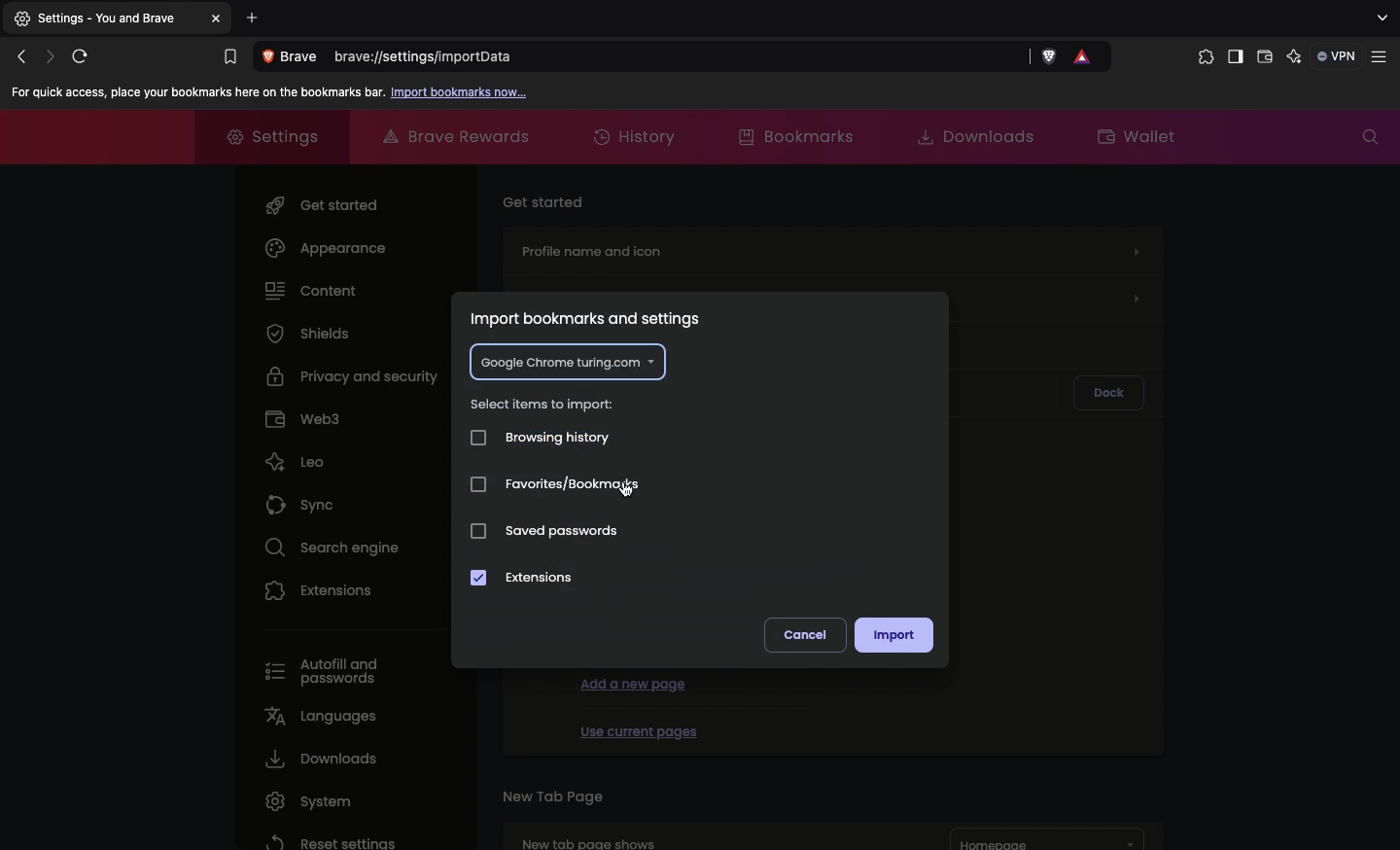  Describe the element at coordinates (356, 374) in the screenshot. I see `Privacy and security` at that location.